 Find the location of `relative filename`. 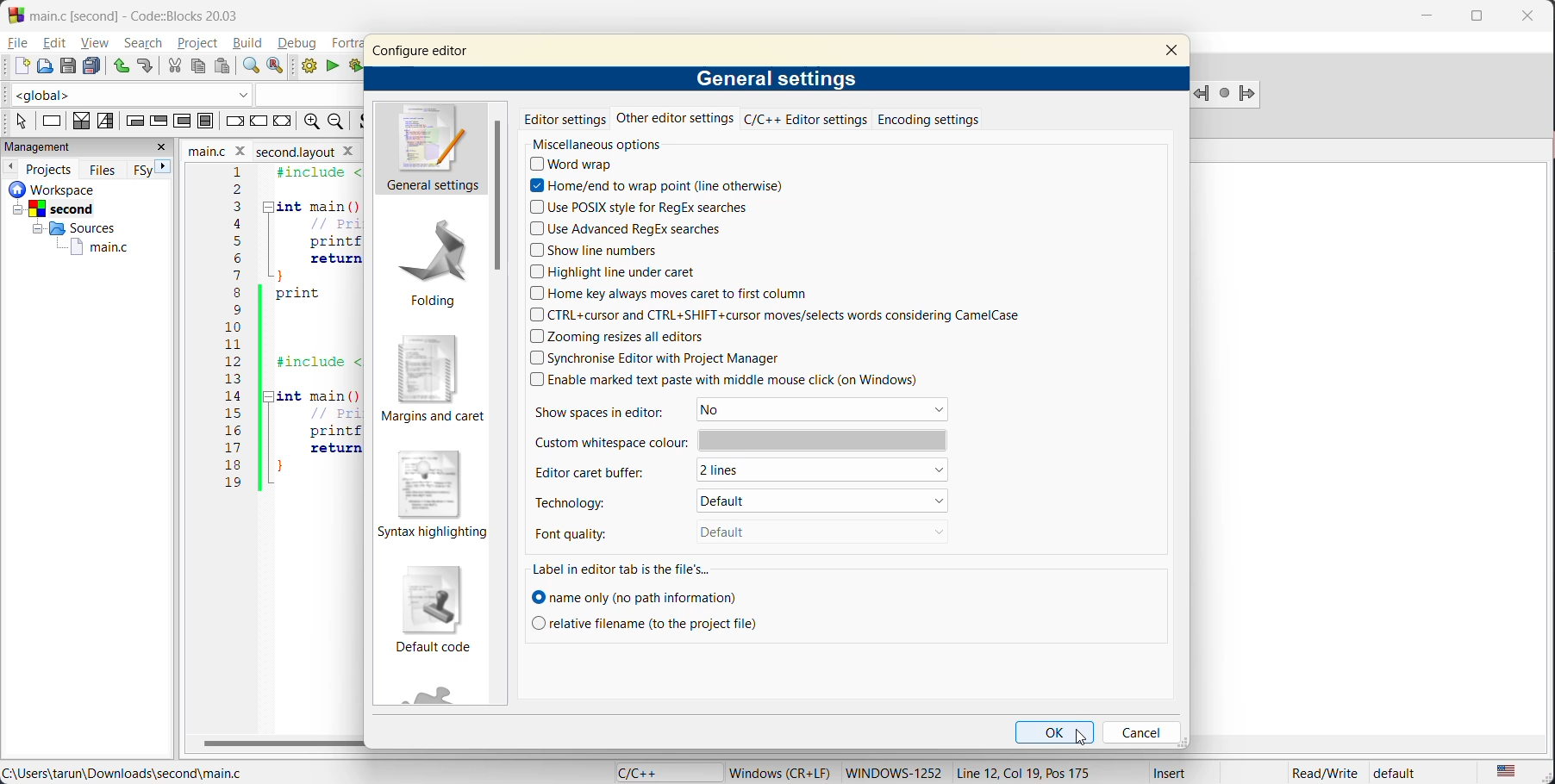

relative filename is located at coordinates (647, 623).